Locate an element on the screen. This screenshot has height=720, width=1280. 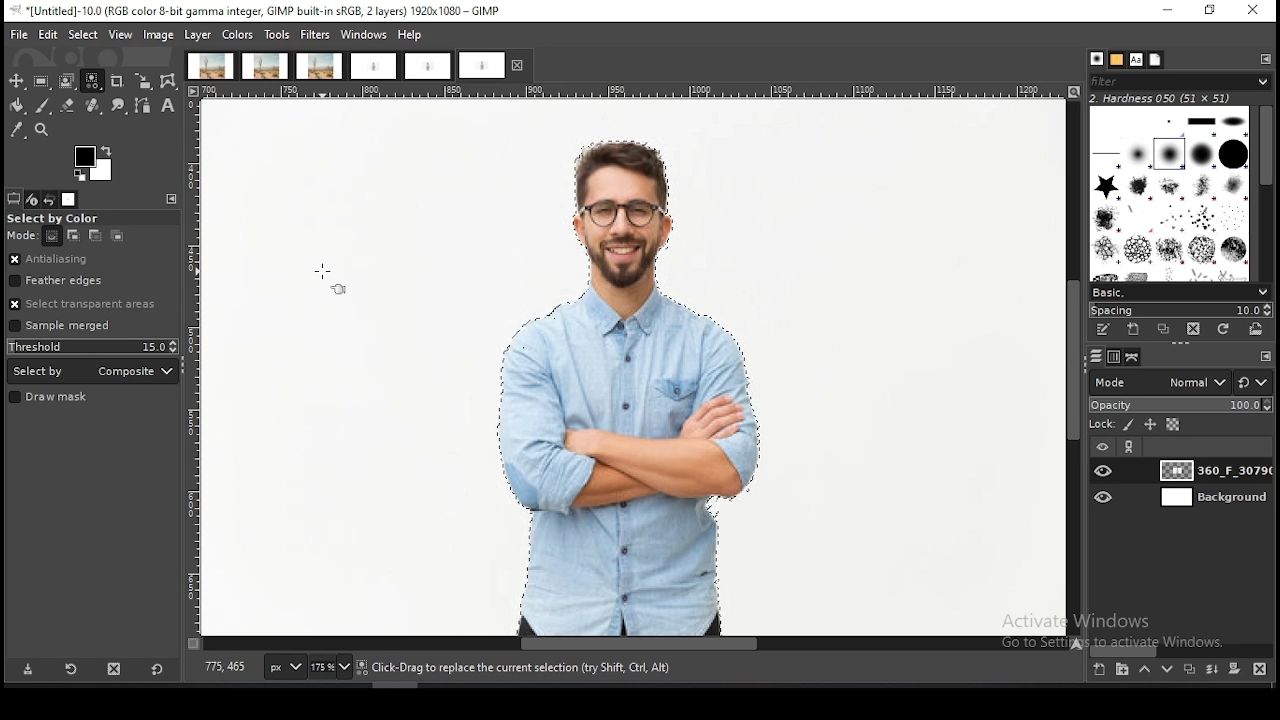
zoom tool is located at coordinates (40, 128).